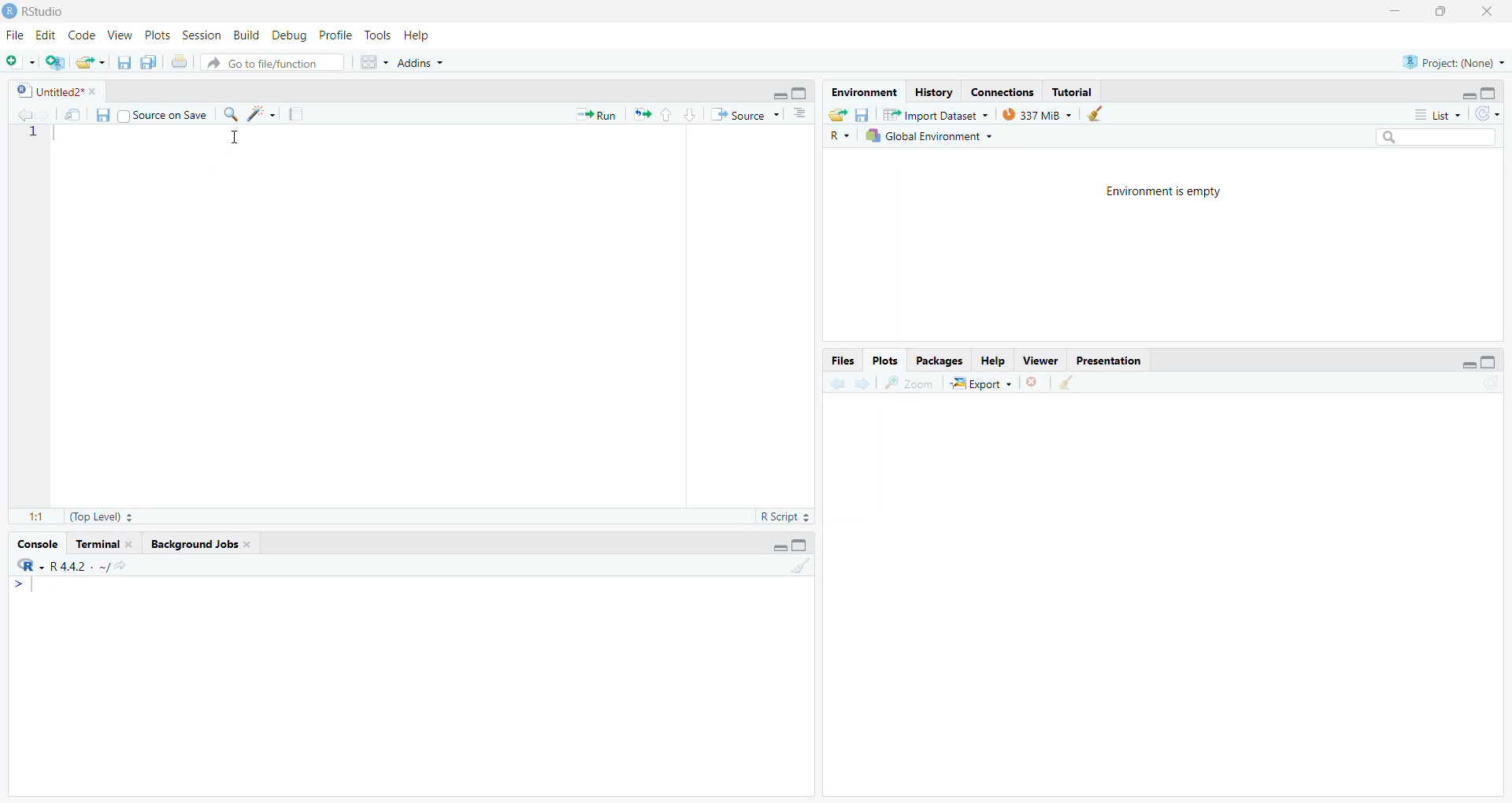 Image resolution: width=1512 pixels, height=803 pixels. I want to click on hide r script, so click(1466, 91).